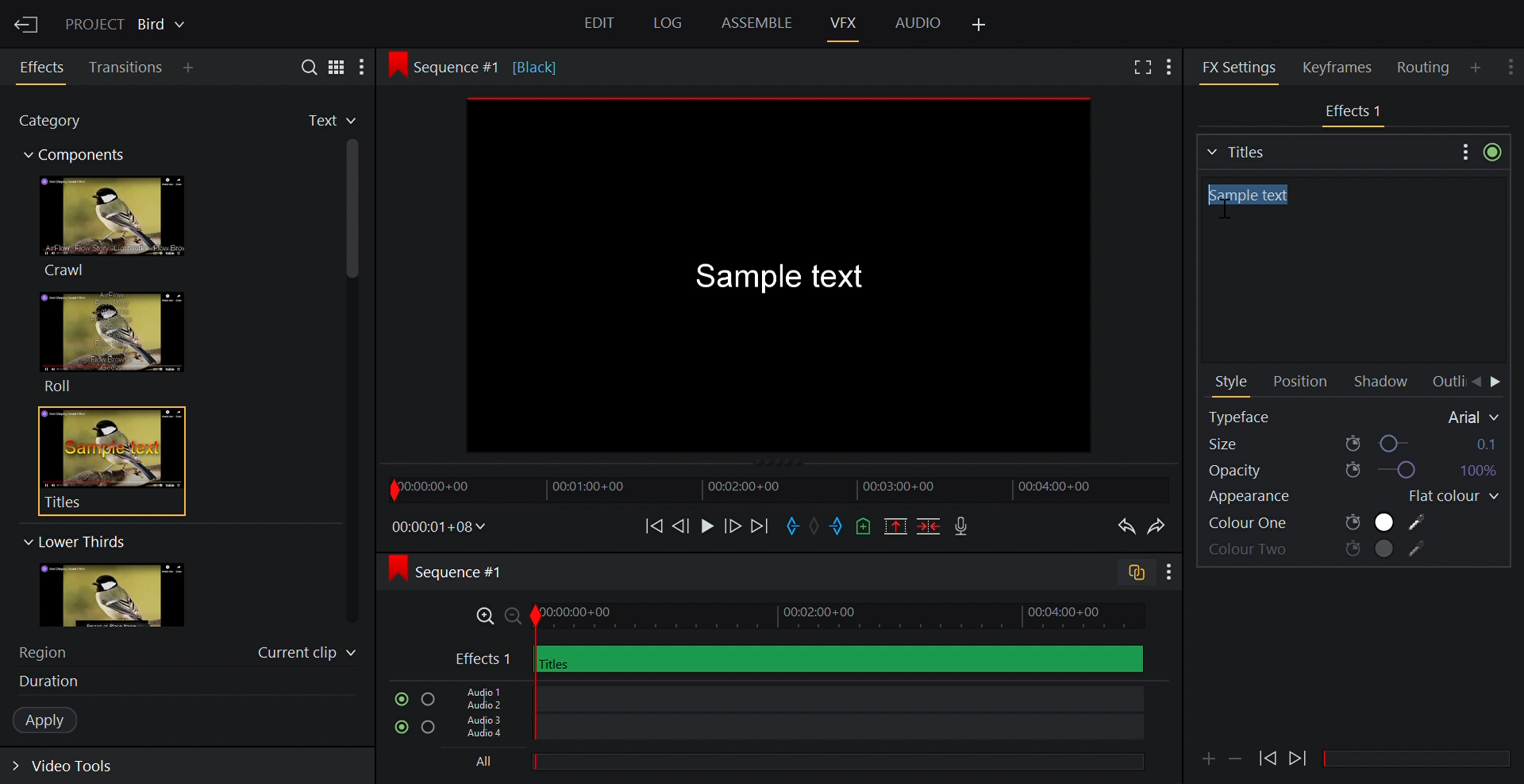  What do you see at coordinates (1160, 527) in the screenshot?
I see `Redo` at bounding box center [1160, 527].